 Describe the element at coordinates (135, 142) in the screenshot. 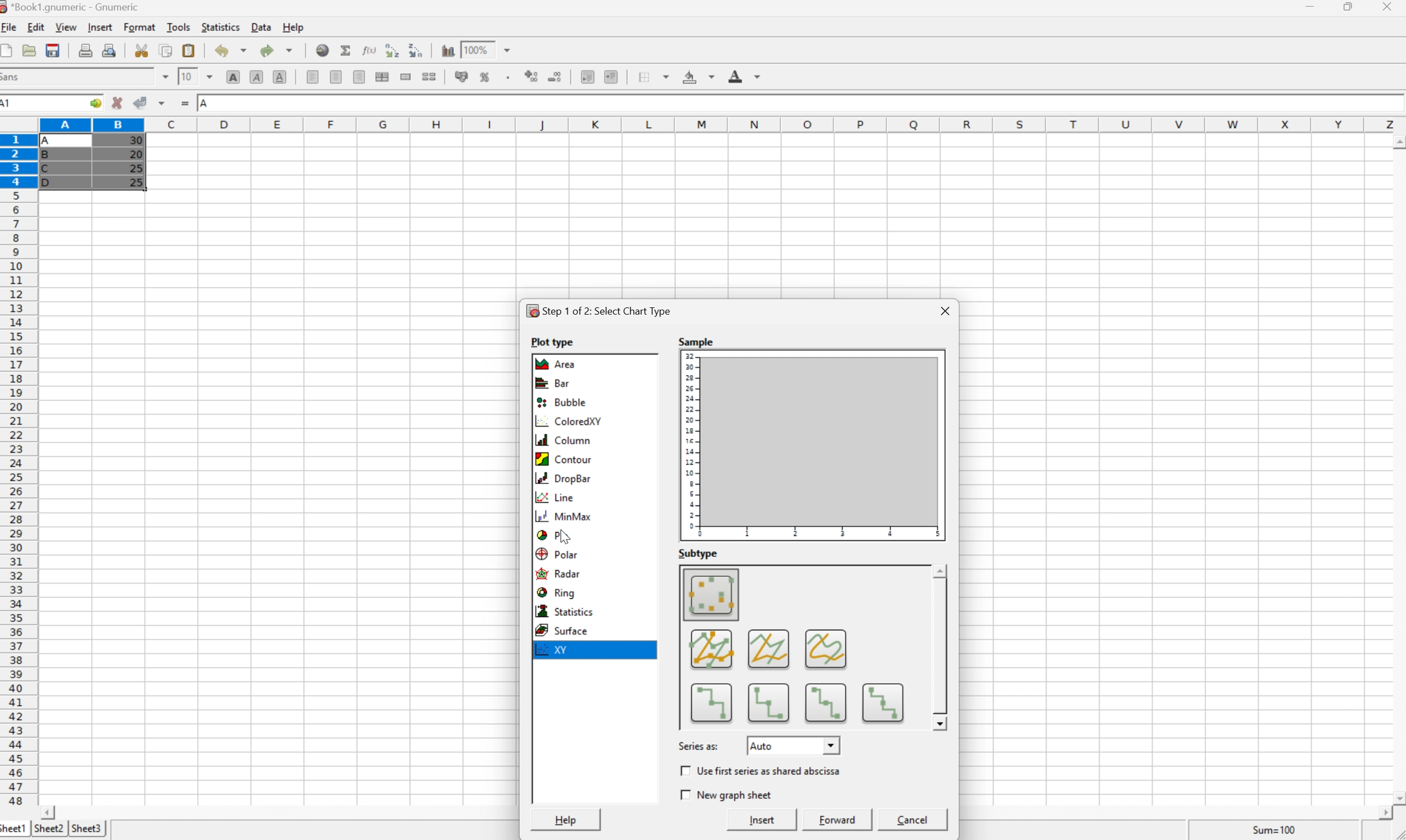

I see `30` at that location.